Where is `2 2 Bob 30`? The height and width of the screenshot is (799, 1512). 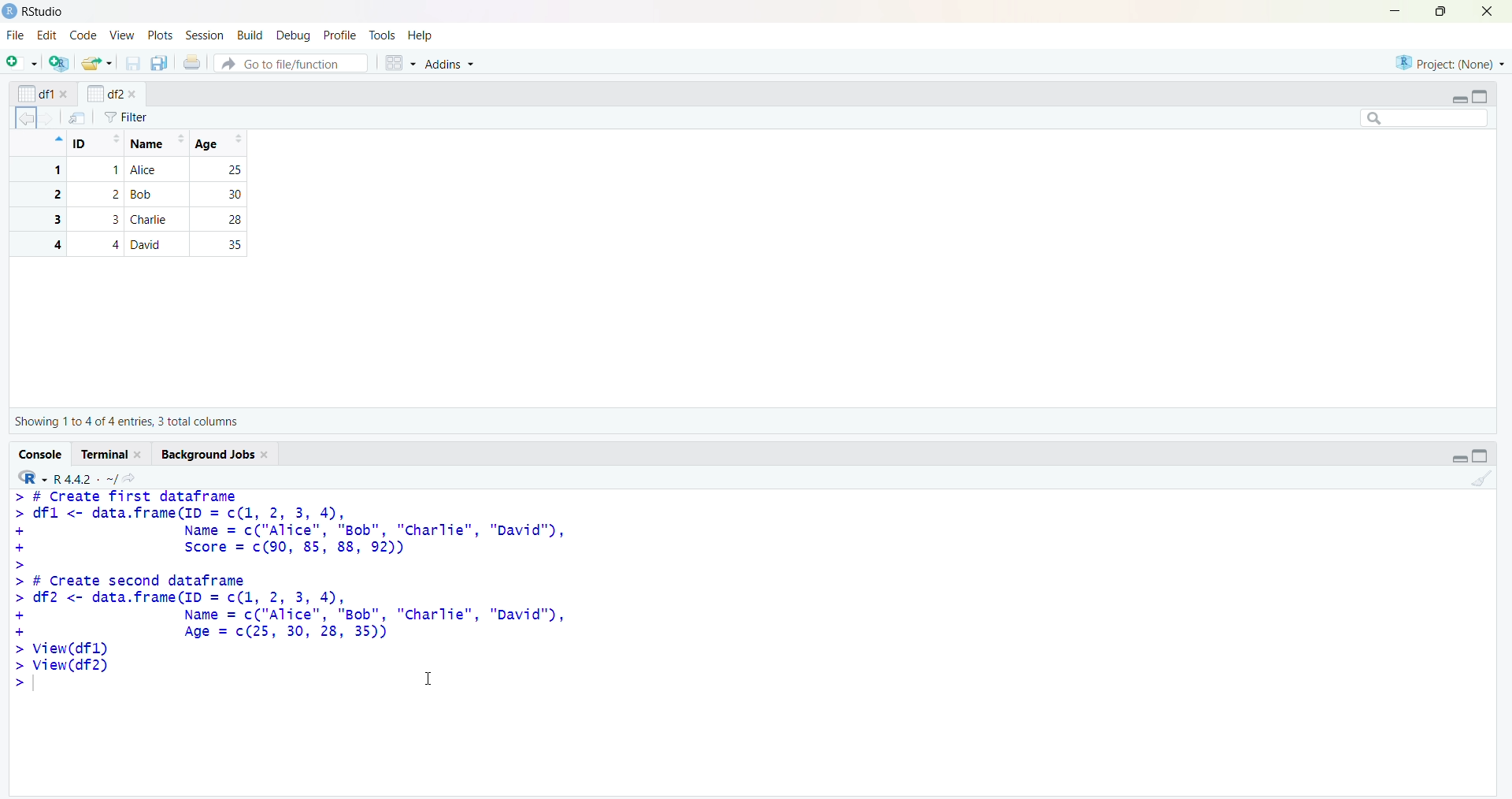 2 2 Bob 30 is located at coordinates (135, 195).